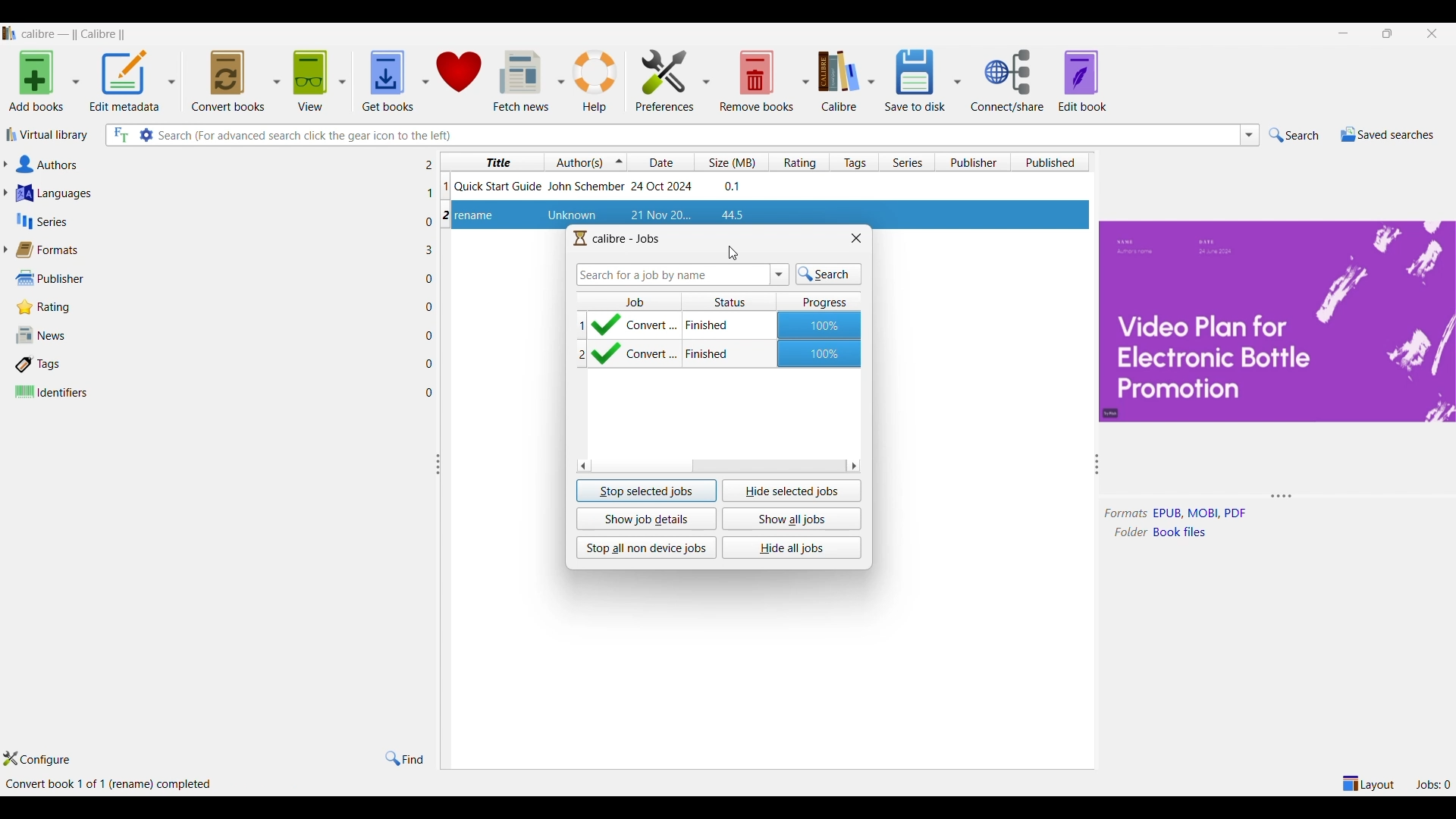 The height and width of the screenshot is (819, 1456). What do you see at coordinates (647, 491) in the screenshot?
I see `Stop selected jobs` at bounding box center [647, 491].